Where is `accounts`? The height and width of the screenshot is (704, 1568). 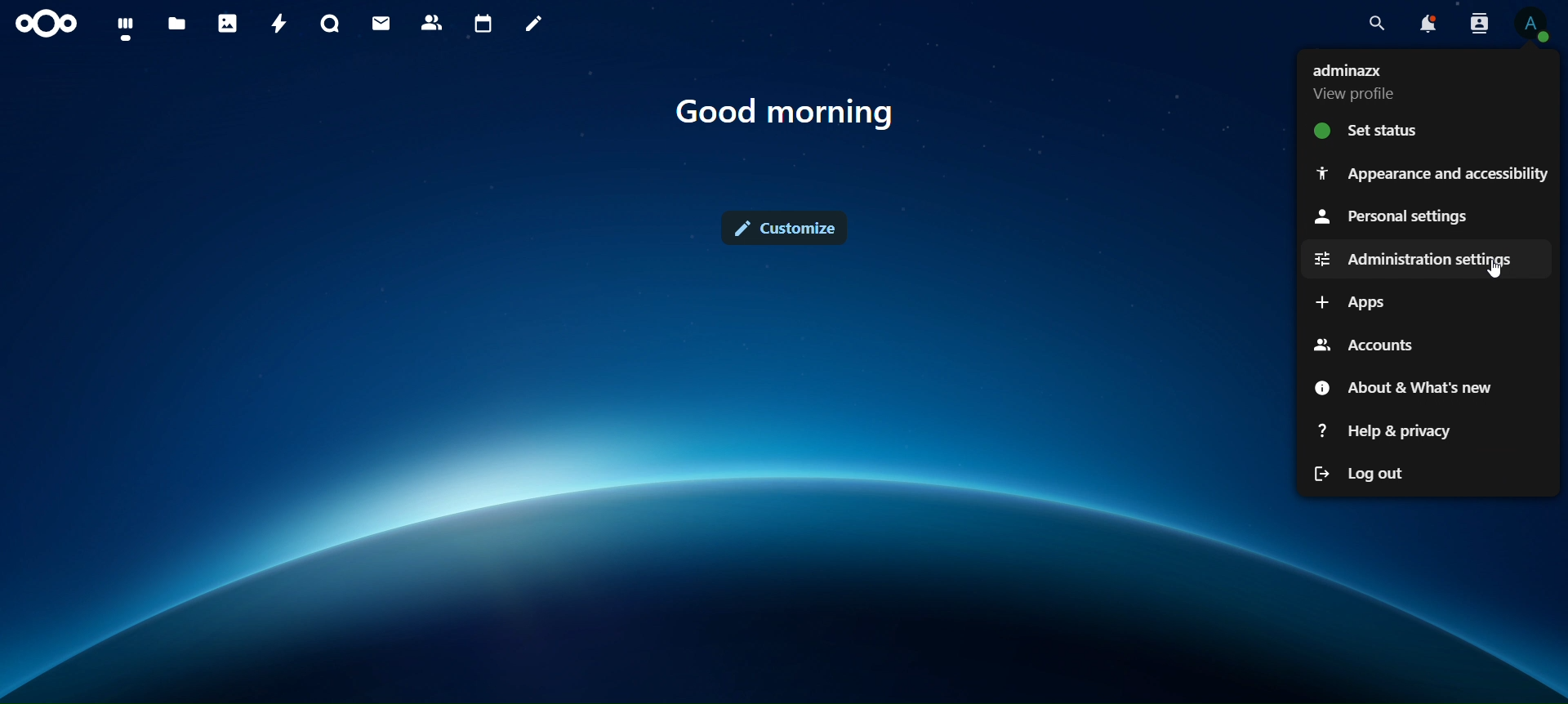 accounts is located at coordinates (1366, 345).